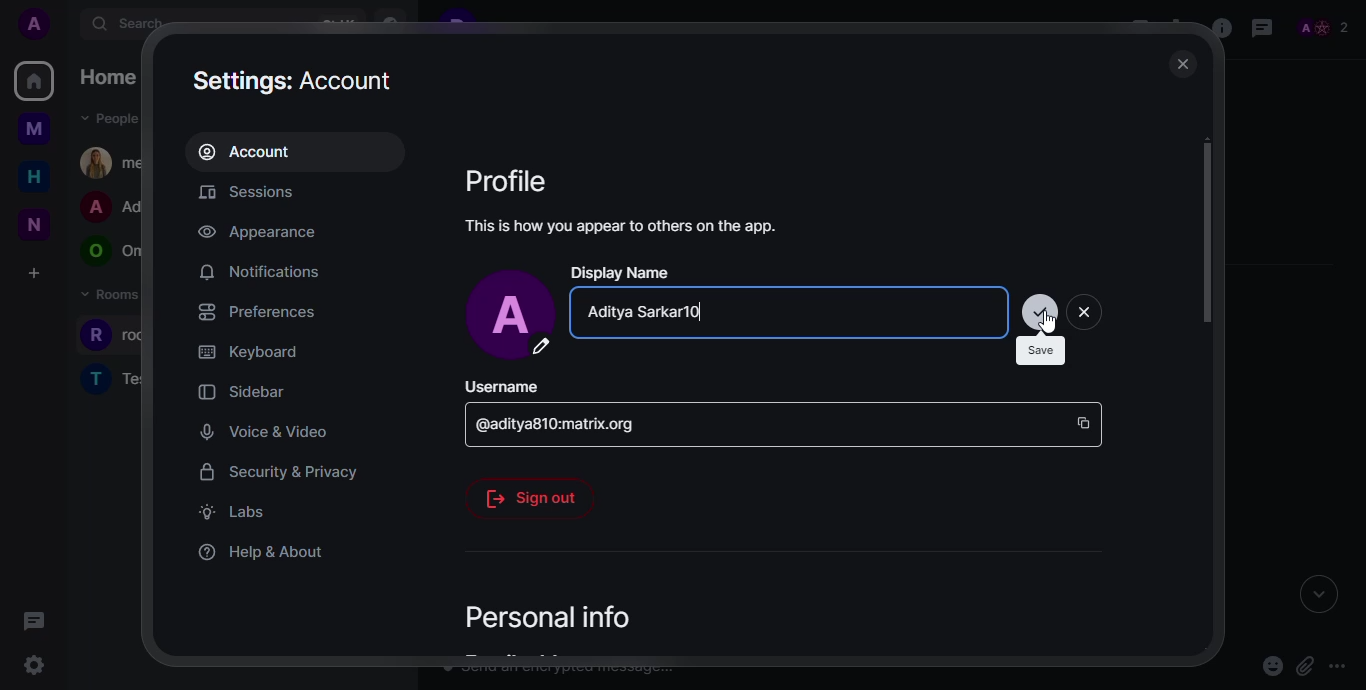 This screenshot has width=1366, height=690. I want to click on account, so click(253, 151).